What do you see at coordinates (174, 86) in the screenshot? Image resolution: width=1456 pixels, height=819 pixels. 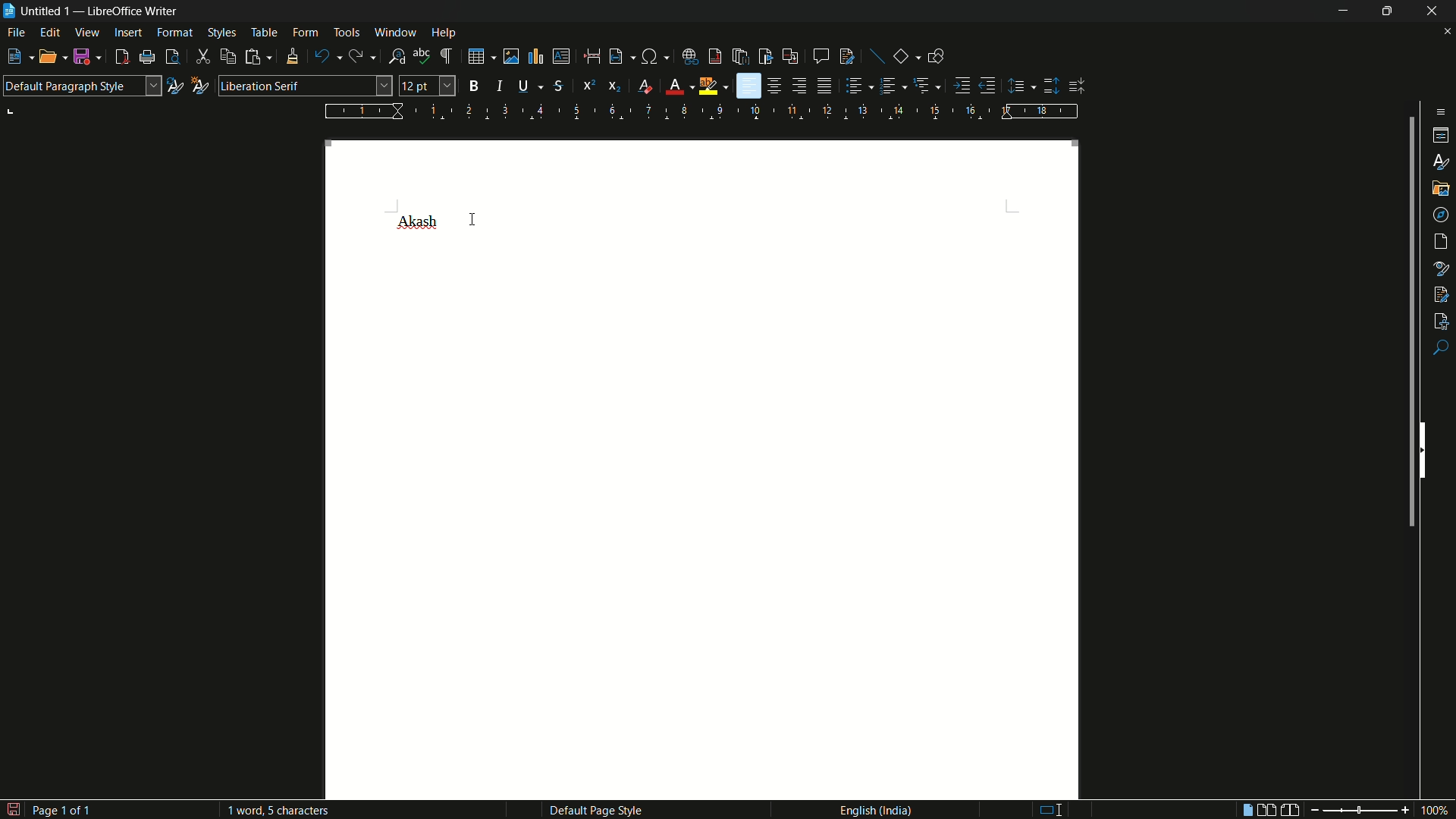 I see `update selected style` at bounding box center [174, 86].